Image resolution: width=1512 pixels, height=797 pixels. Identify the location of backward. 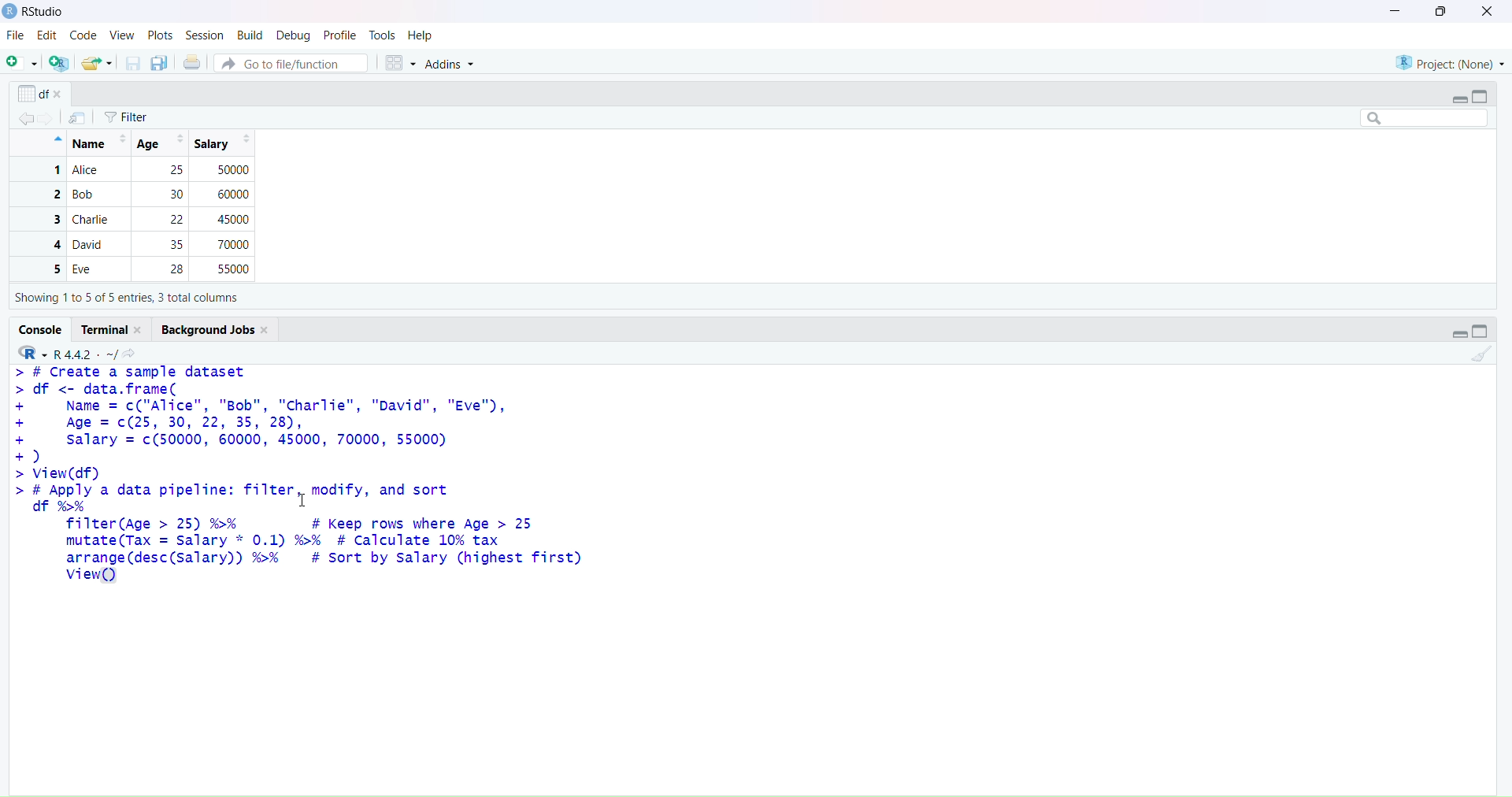
(18, 118).